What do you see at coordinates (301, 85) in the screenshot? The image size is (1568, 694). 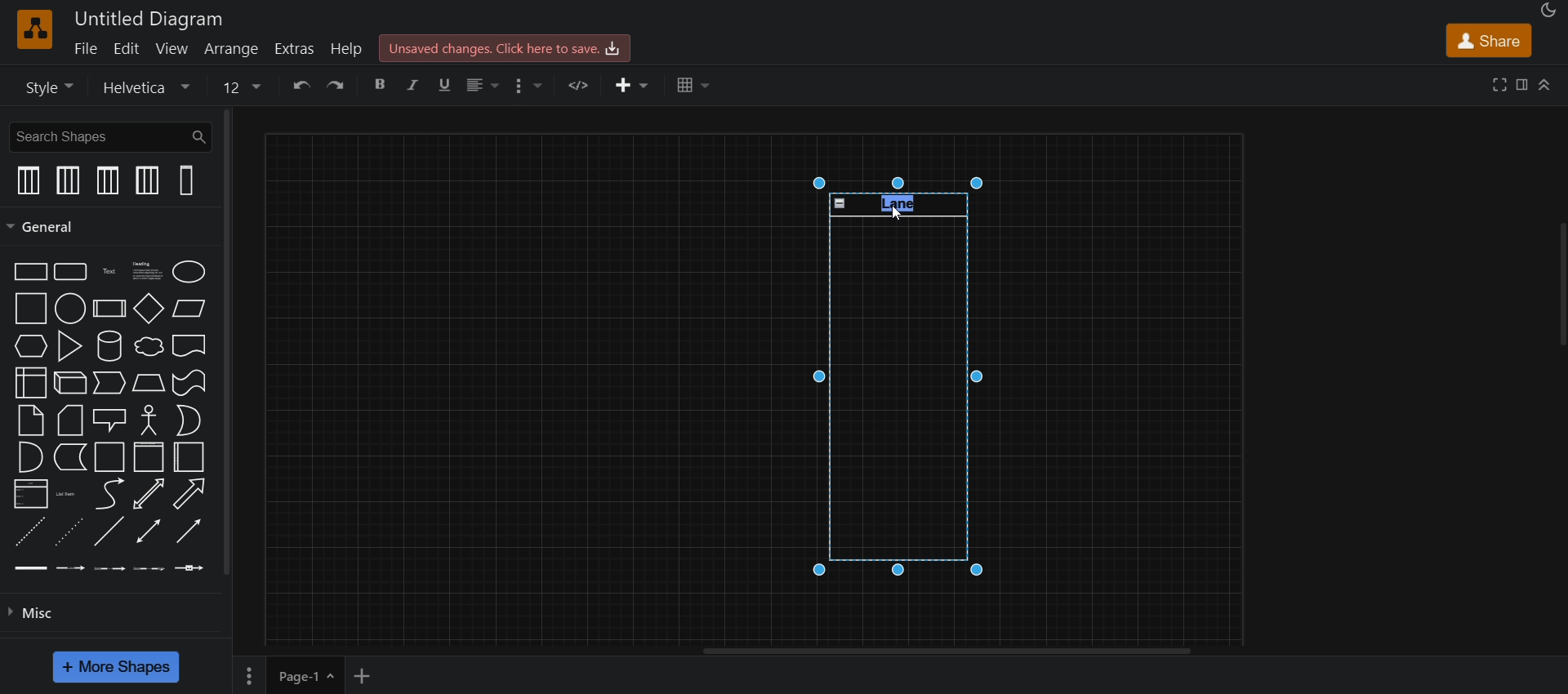 I see `undo` at bounding box center [301, 85].